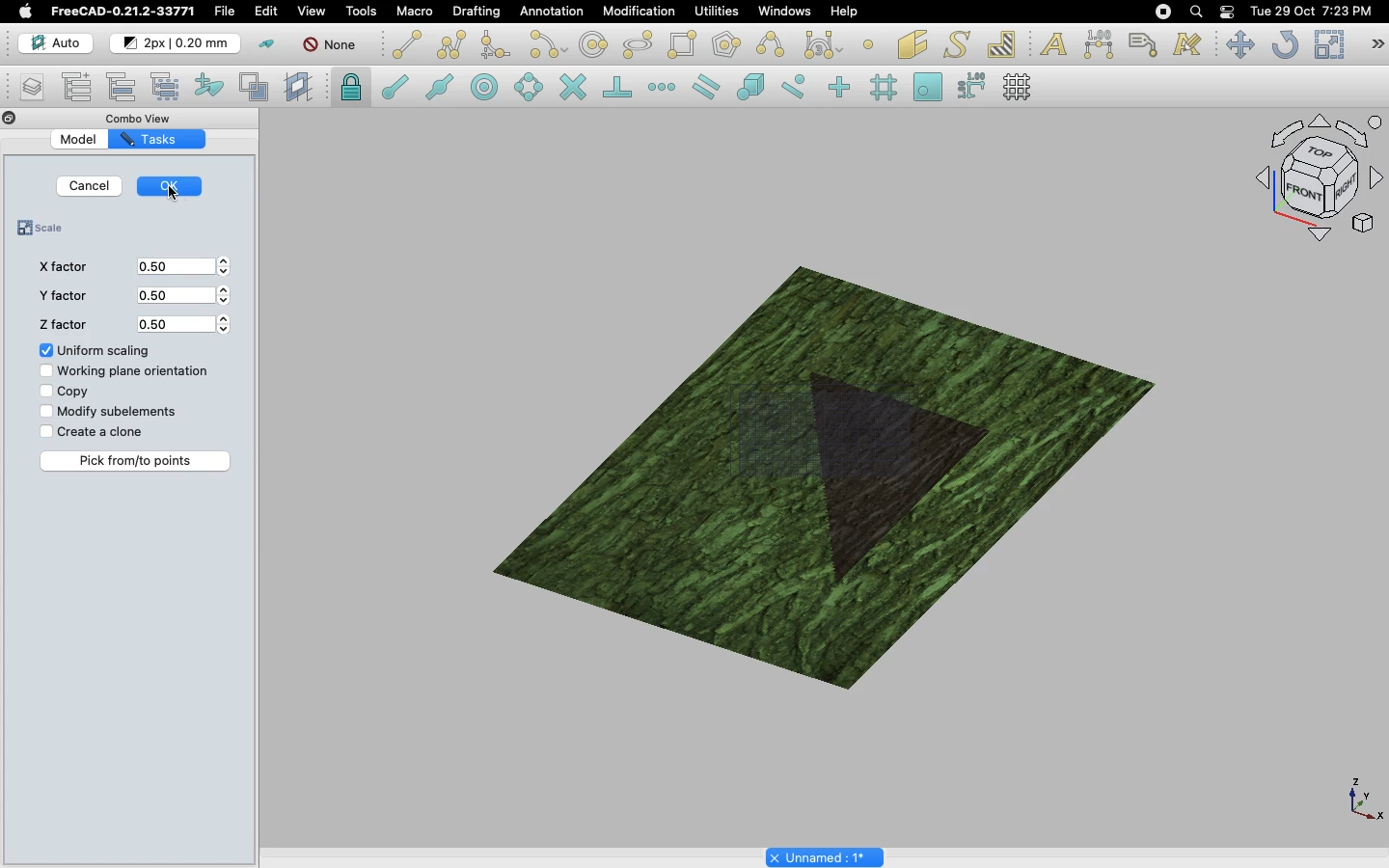 This screenshot has width=1389, height=868. I want to click on Point, so click(872, 43).